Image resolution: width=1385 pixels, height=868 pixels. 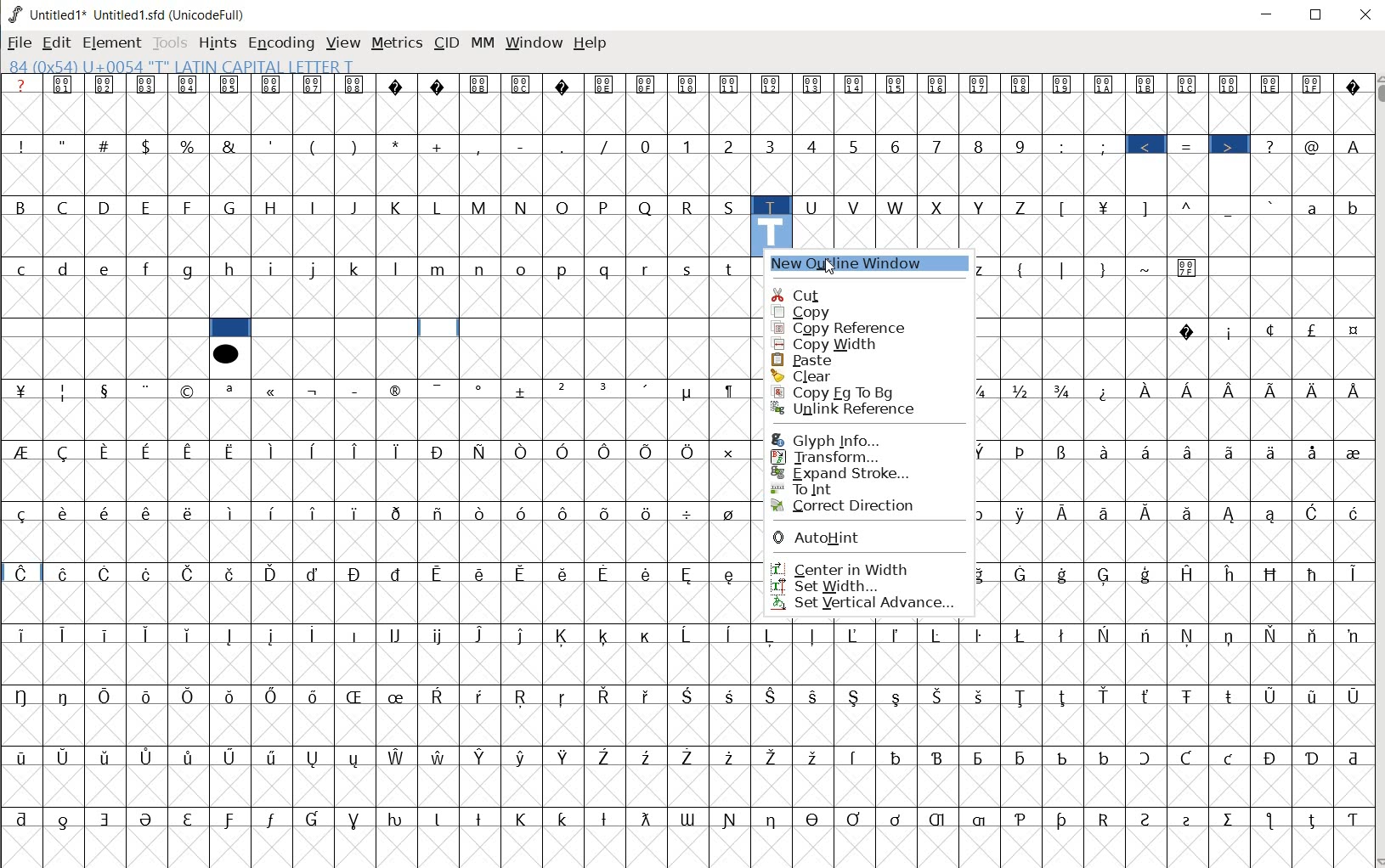 I want to click on Symbol, so click(x=482, y=696).